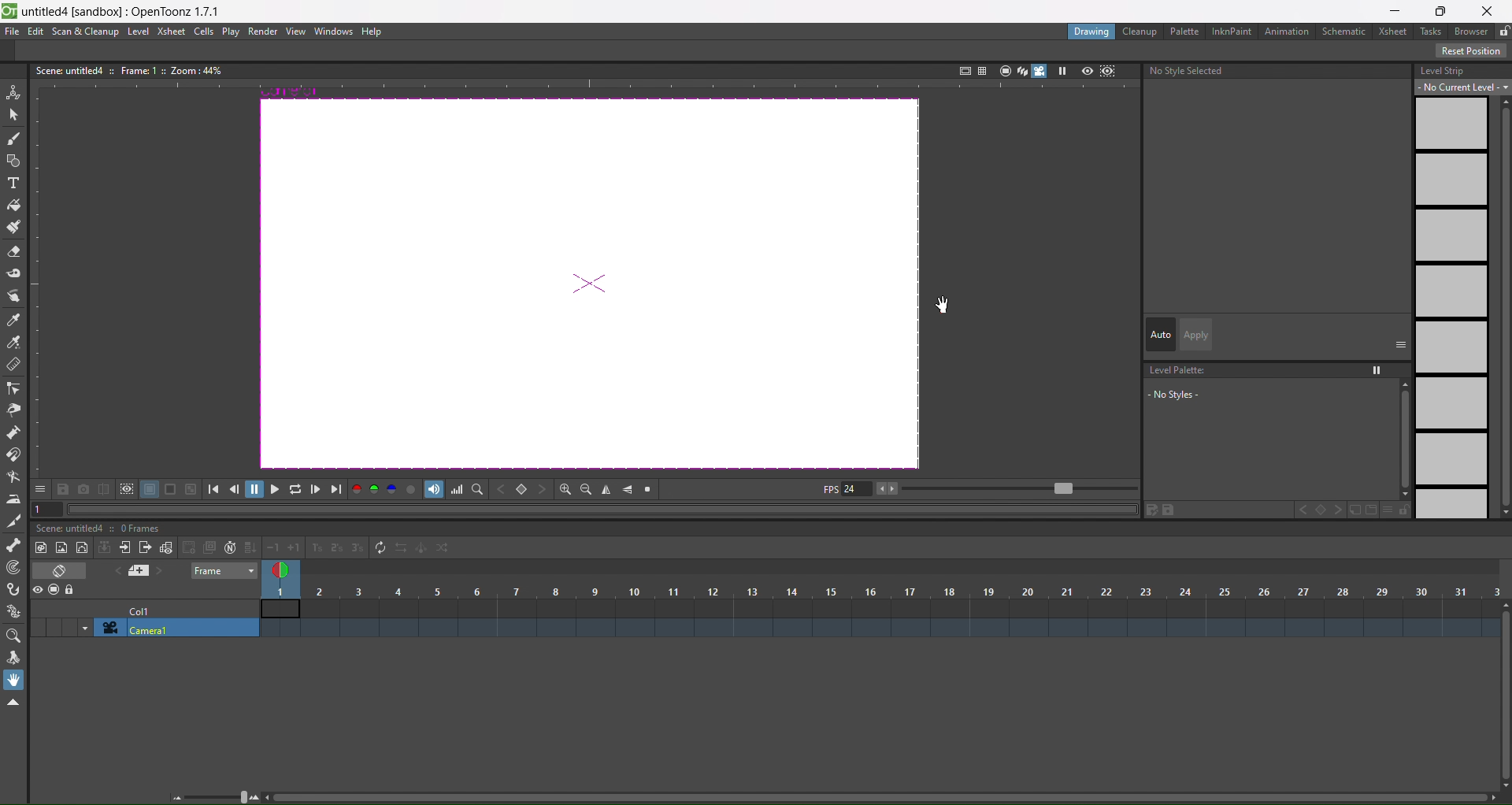 This screenshot has height=805, width=1512. What do you see at coordinates (13, 410) in the screenshot?
I see `pinch tool` at bounding box center [13, 410].